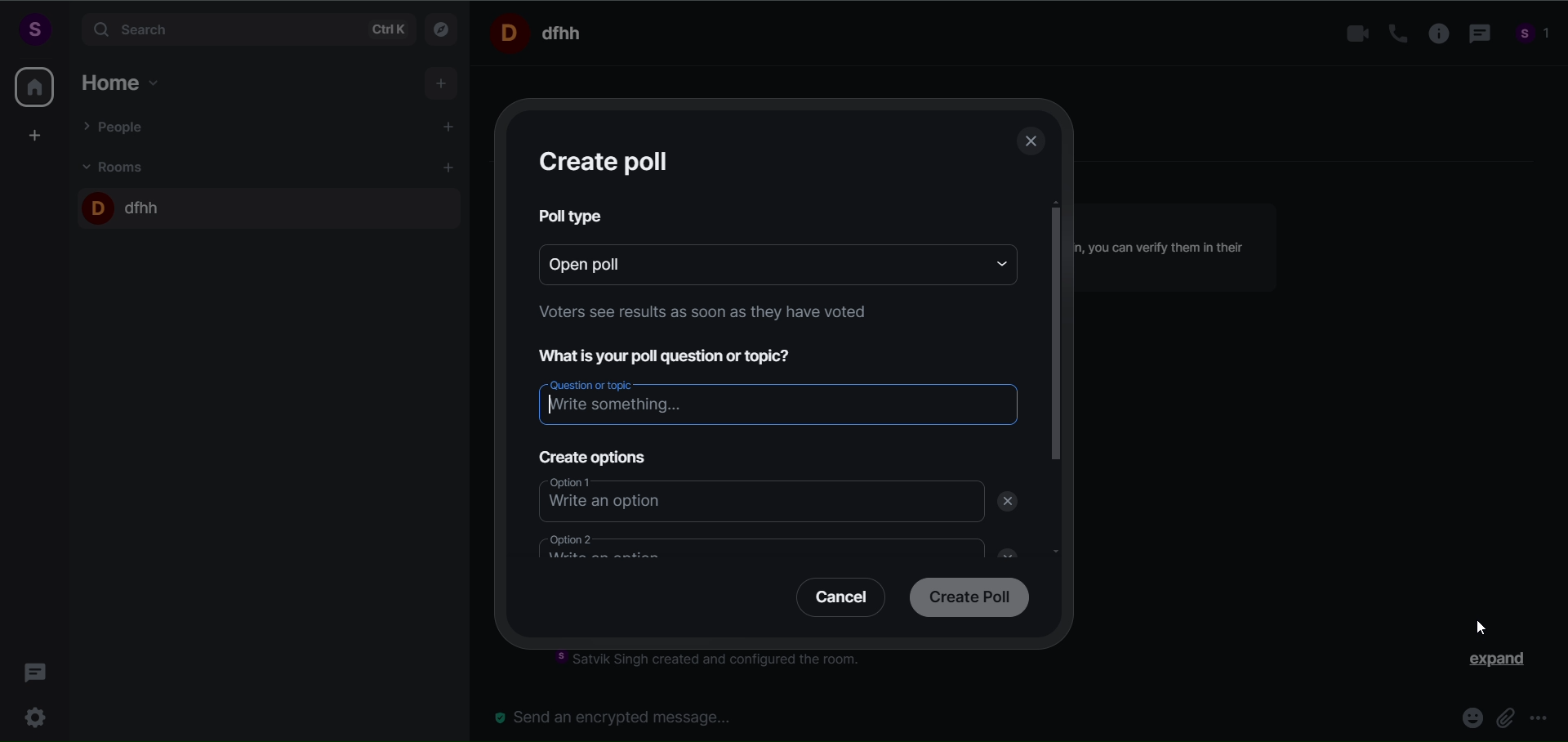 This screenshot has width=1568, height=742. I want to click on room name, so click(125, 204).